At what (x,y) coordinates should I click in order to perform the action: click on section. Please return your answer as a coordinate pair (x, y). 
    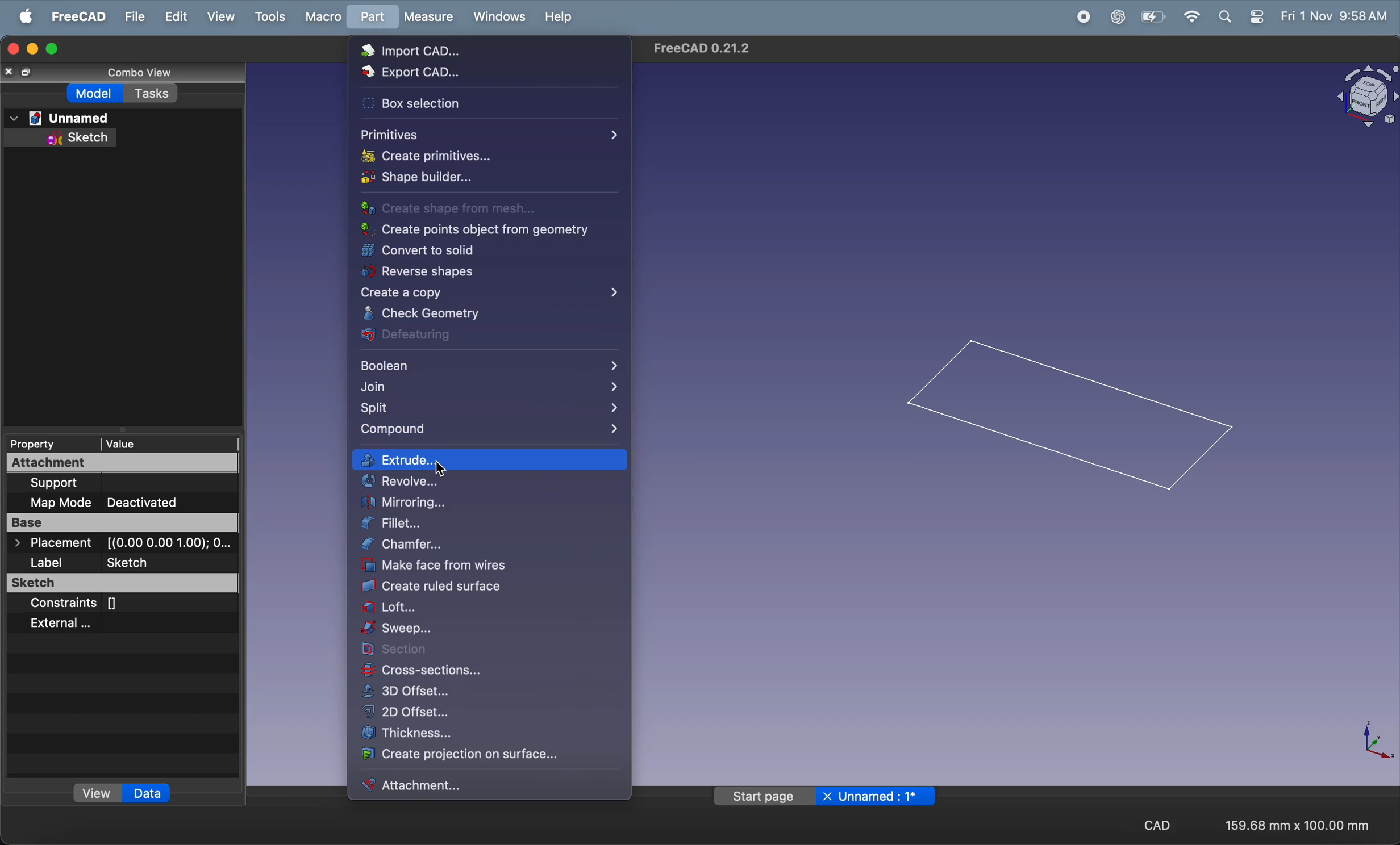
    Looking at the image, I should click on (497, 651).